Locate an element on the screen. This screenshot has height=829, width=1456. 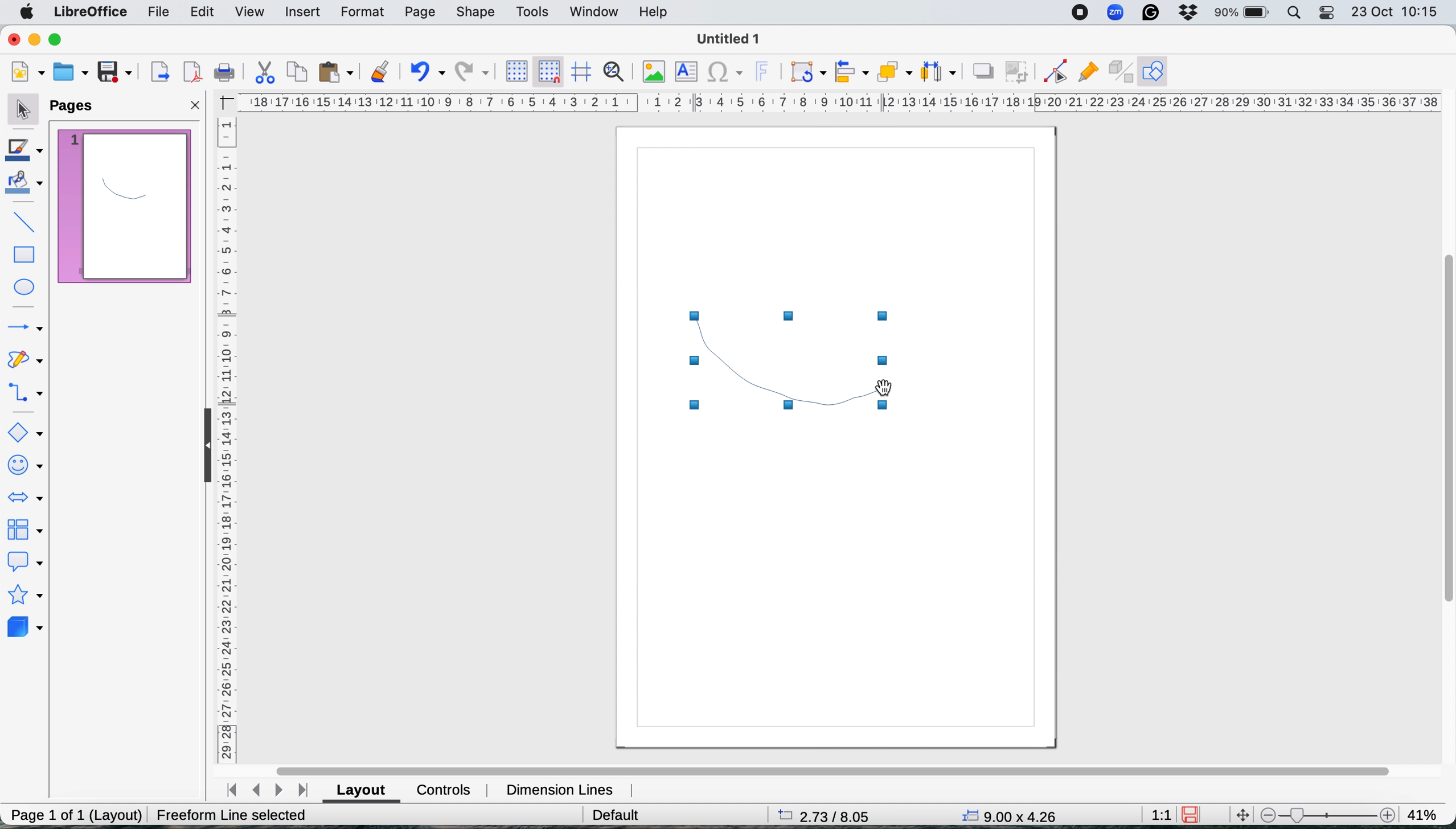
export is located at coordinates (159, 71).